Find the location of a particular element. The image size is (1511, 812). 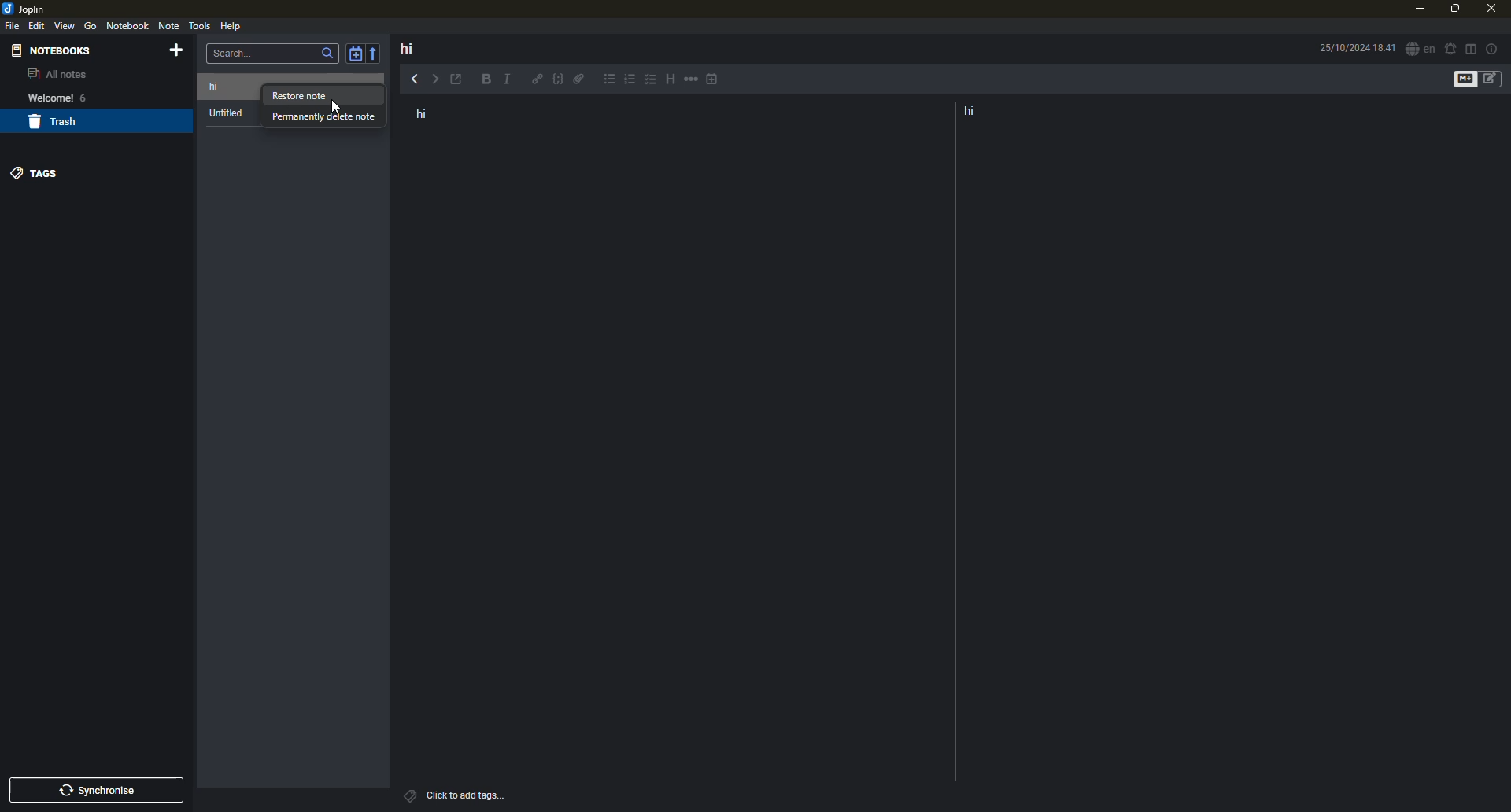

tags is located at coordinates (408, 795).